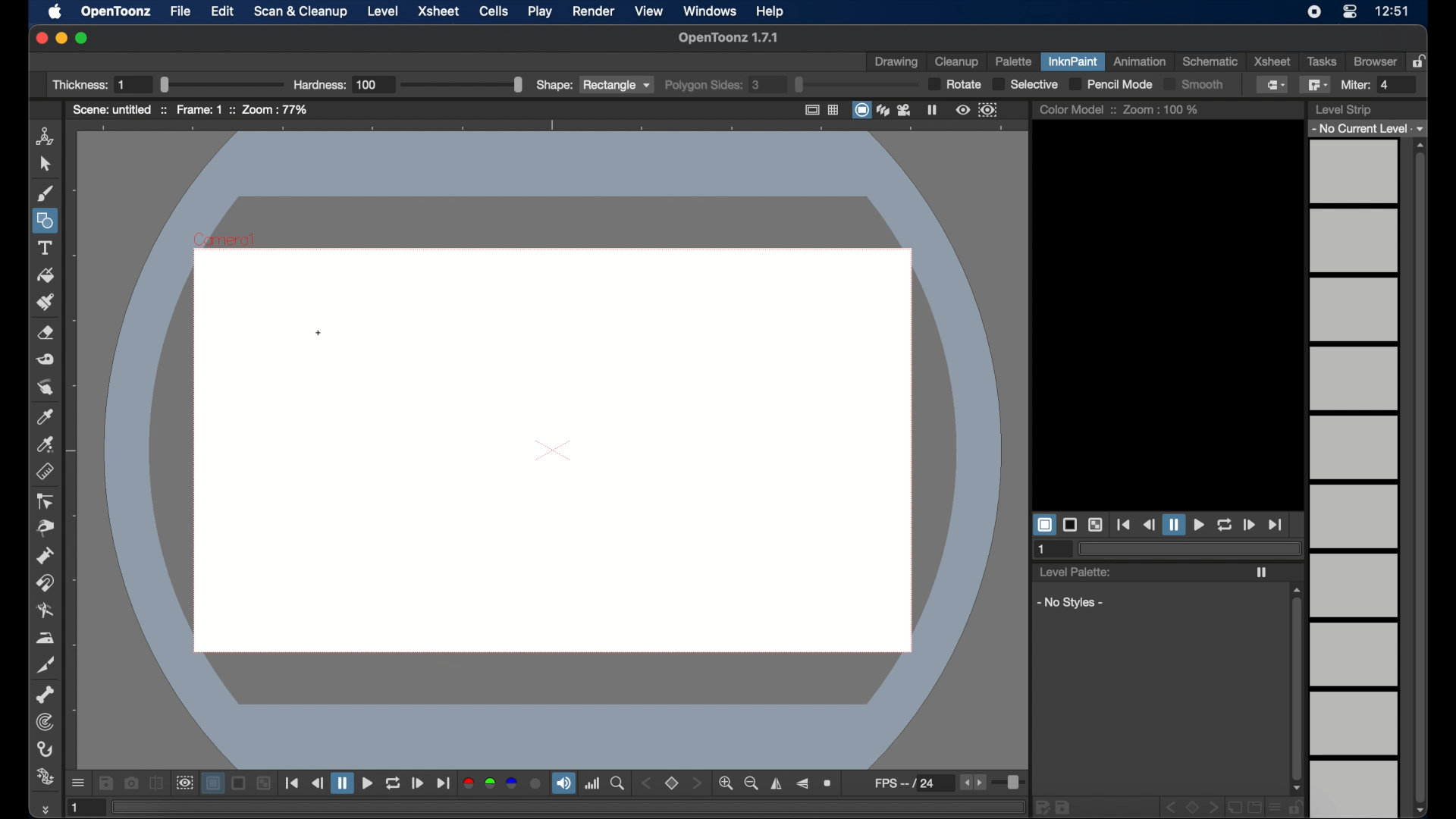 The width and height of the screenshot is (1456, 819). What do you see at coordinates (1425, 811) in the screenshot?
I see `scroll down arrow` at bounding box center [1425, 811].